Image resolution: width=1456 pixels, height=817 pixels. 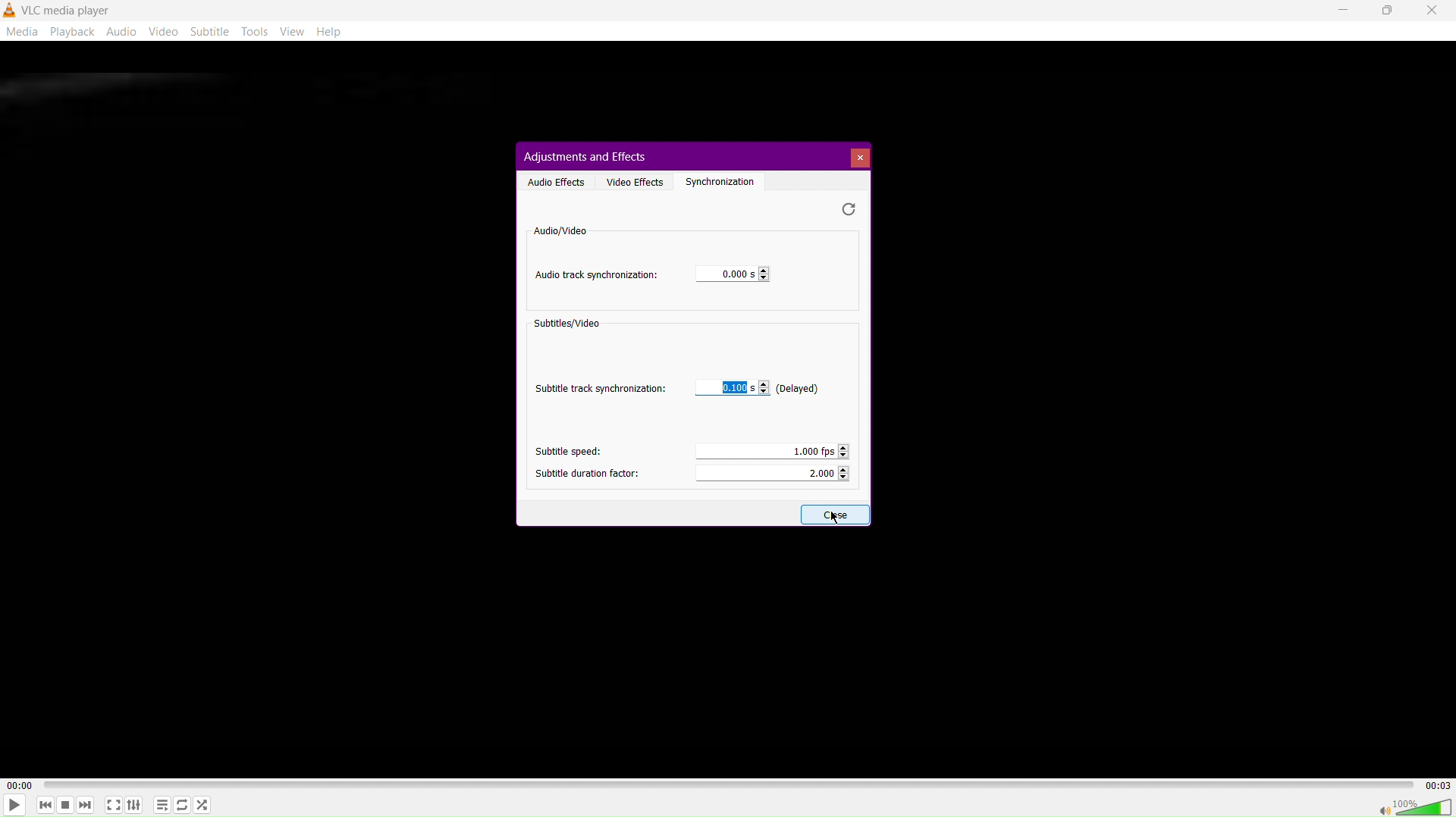 I want to click on Playlist, so click(x=165, y=805).